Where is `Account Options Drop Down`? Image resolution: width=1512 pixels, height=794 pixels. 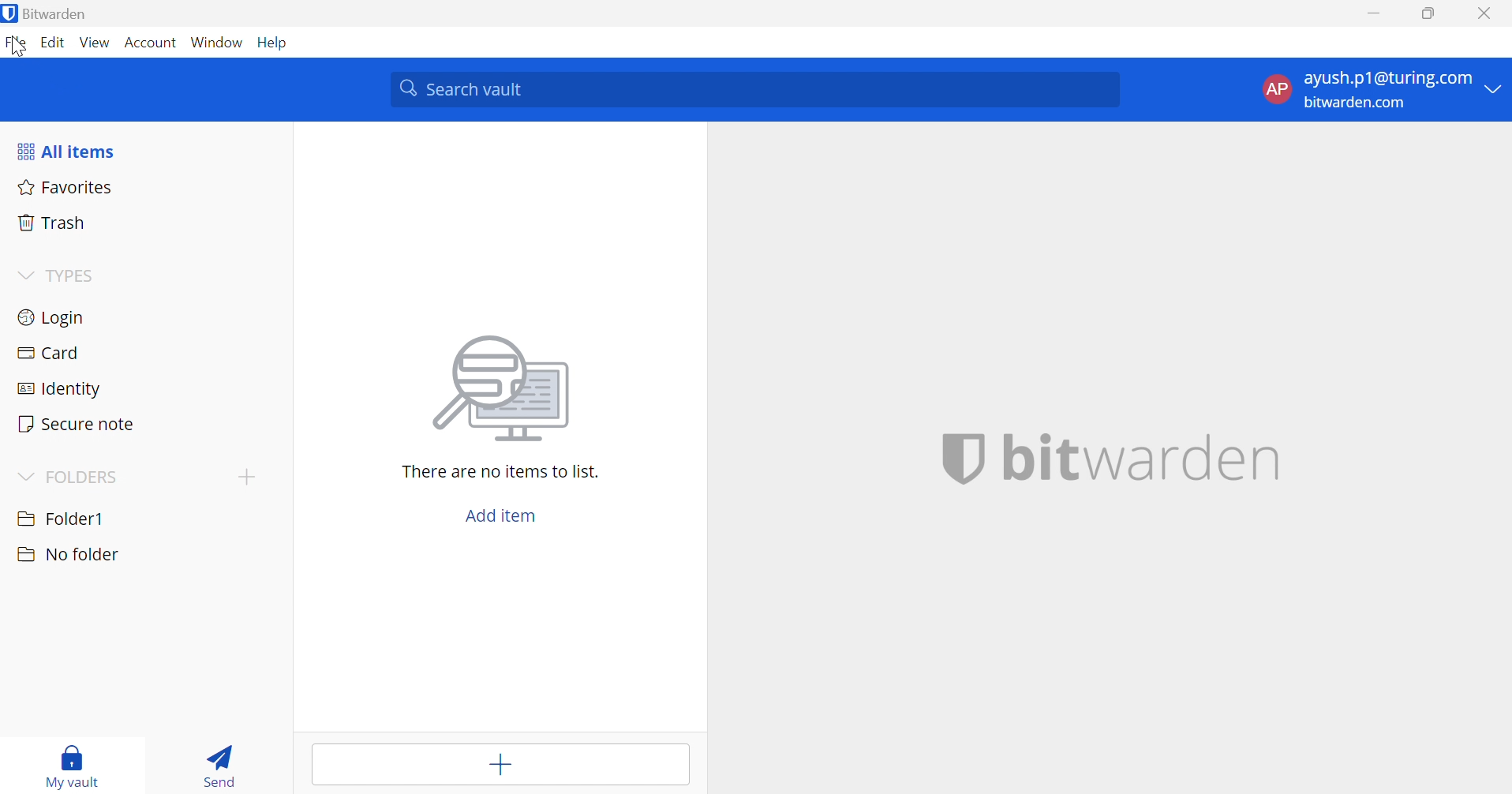
Account Options Drop Down is located at coordinates (1379, 92).